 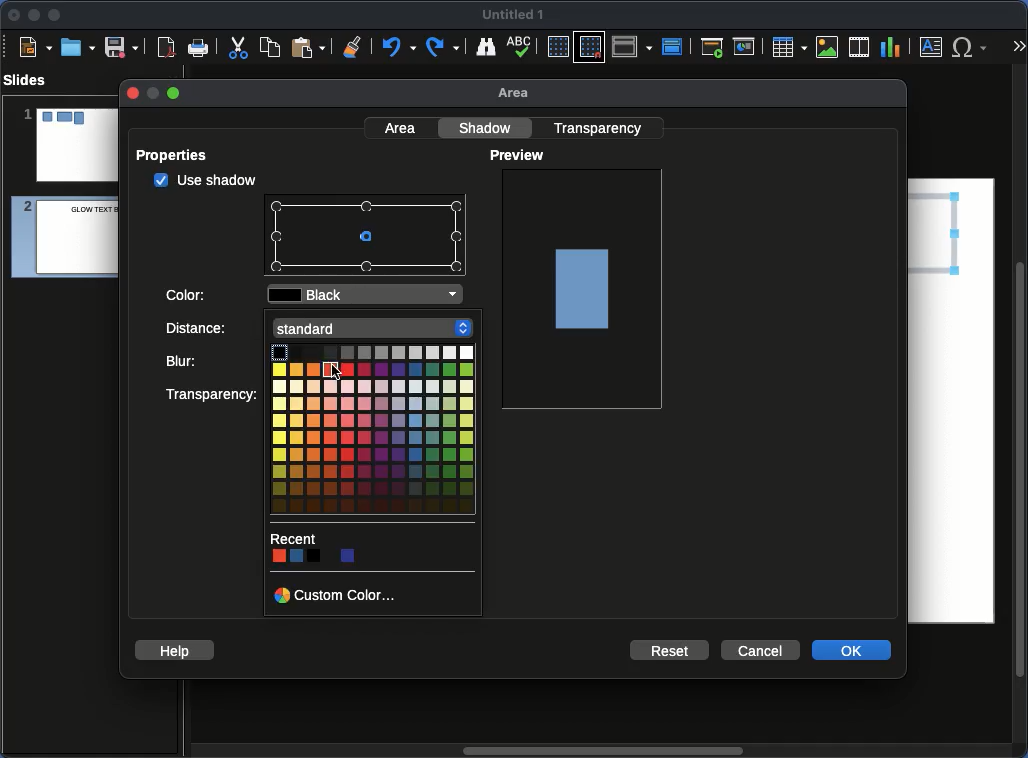 What do you see at coordinates (294, 537) in the screenshot?
I see `Recent` at bounding box center [294, 537].